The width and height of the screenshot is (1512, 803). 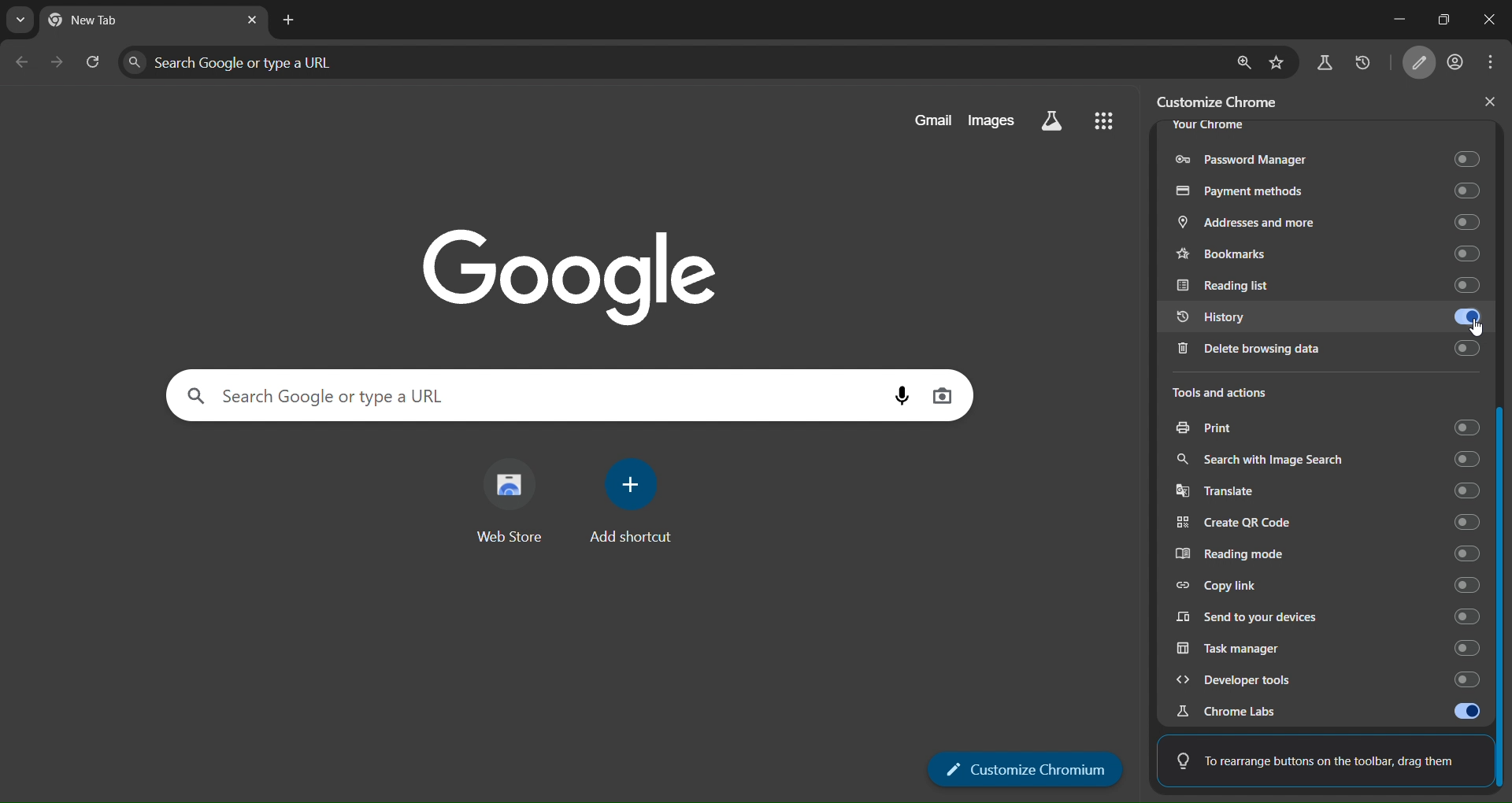 What do you see at coordinates (17, 20) in the screenshot?
I see `search tabs` at bounding box center [17, 20].